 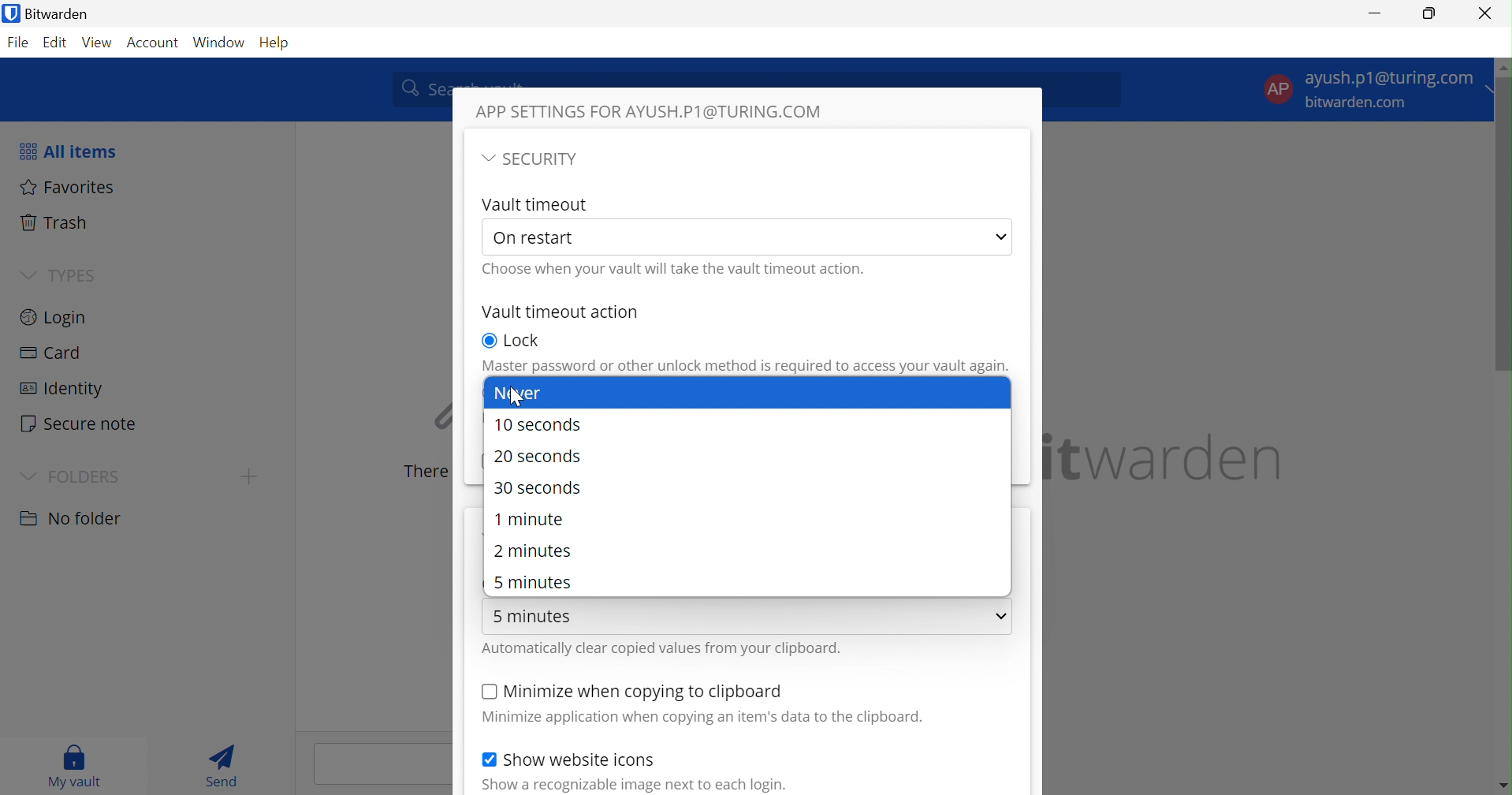 What do you see at coordinates (517, 397) in the screenshot?
I see `cursor` at bounding box center [517, 397].